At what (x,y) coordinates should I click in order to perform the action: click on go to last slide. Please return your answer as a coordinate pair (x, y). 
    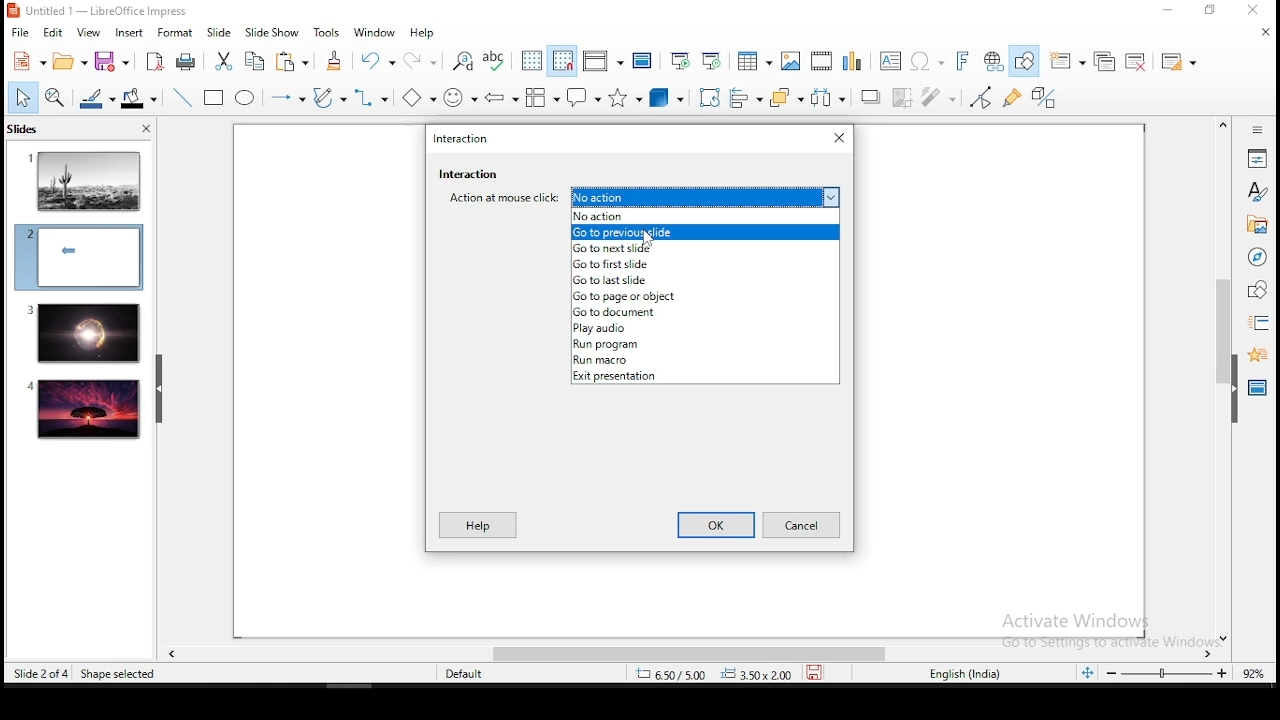
    Looking at the image, I should click on (705, 283).